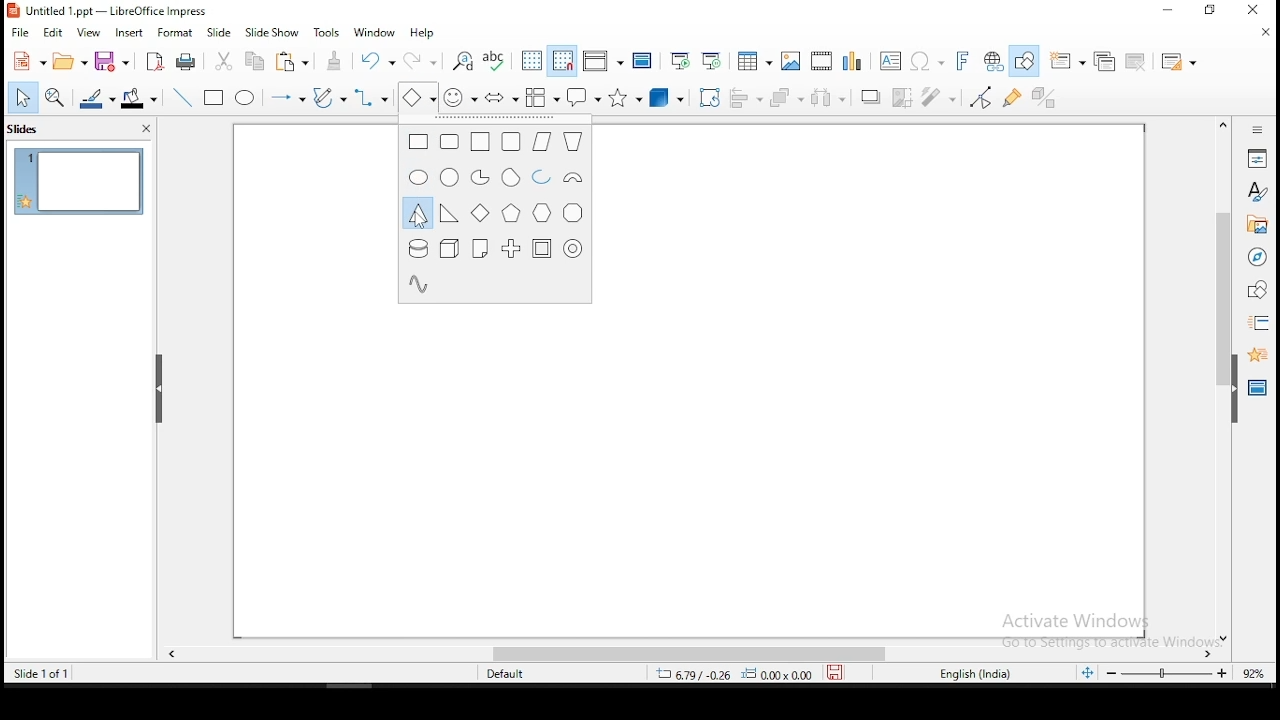 This screenshot has height=720, width=1280. What do you see at coordinates (1047, 98) in the screenshot?
I see `toggle extrusiuon` at bounding box center [1047, 98].